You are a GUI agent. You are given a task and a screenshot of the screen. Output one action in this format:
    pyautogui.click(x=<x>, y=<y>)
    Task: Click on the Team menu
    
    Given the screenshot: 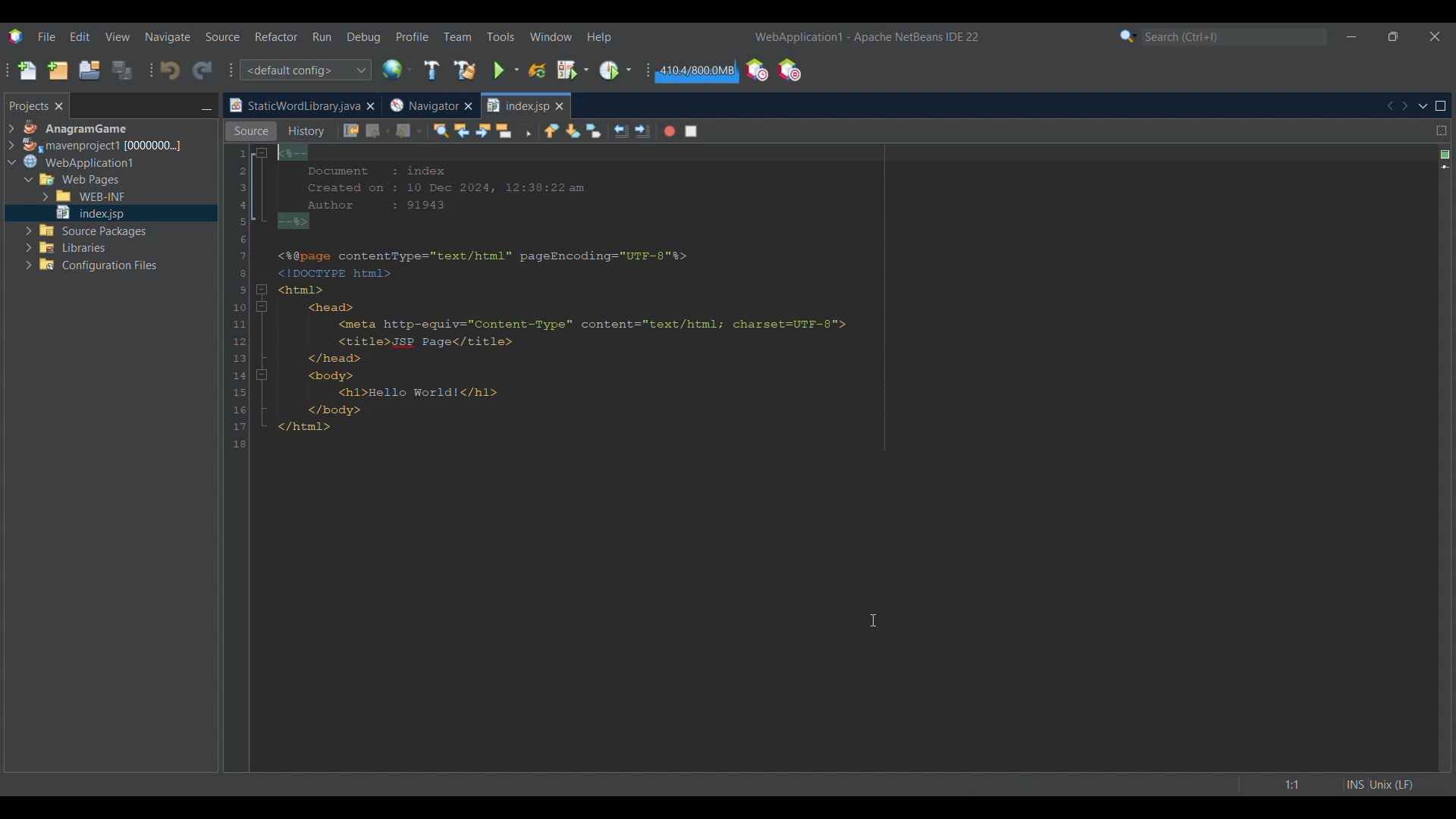 What is the action you would take?
    pyautogui.click(x=457, y=36)
    